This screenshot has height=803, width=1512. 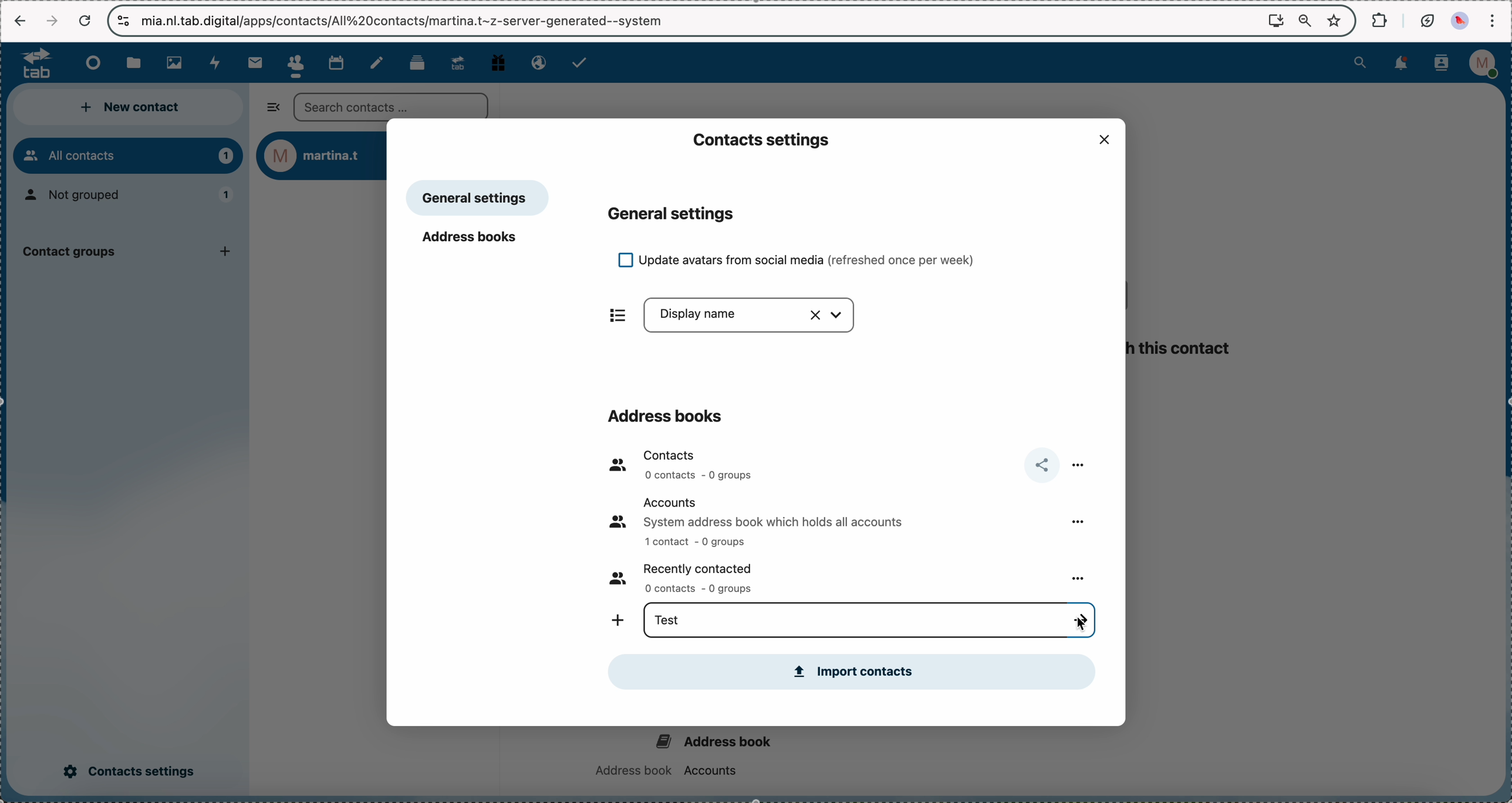 What do you see at coordinates (1082, 619) in the screenshot?
I see `cursor` at bounding box center [1082, 619].